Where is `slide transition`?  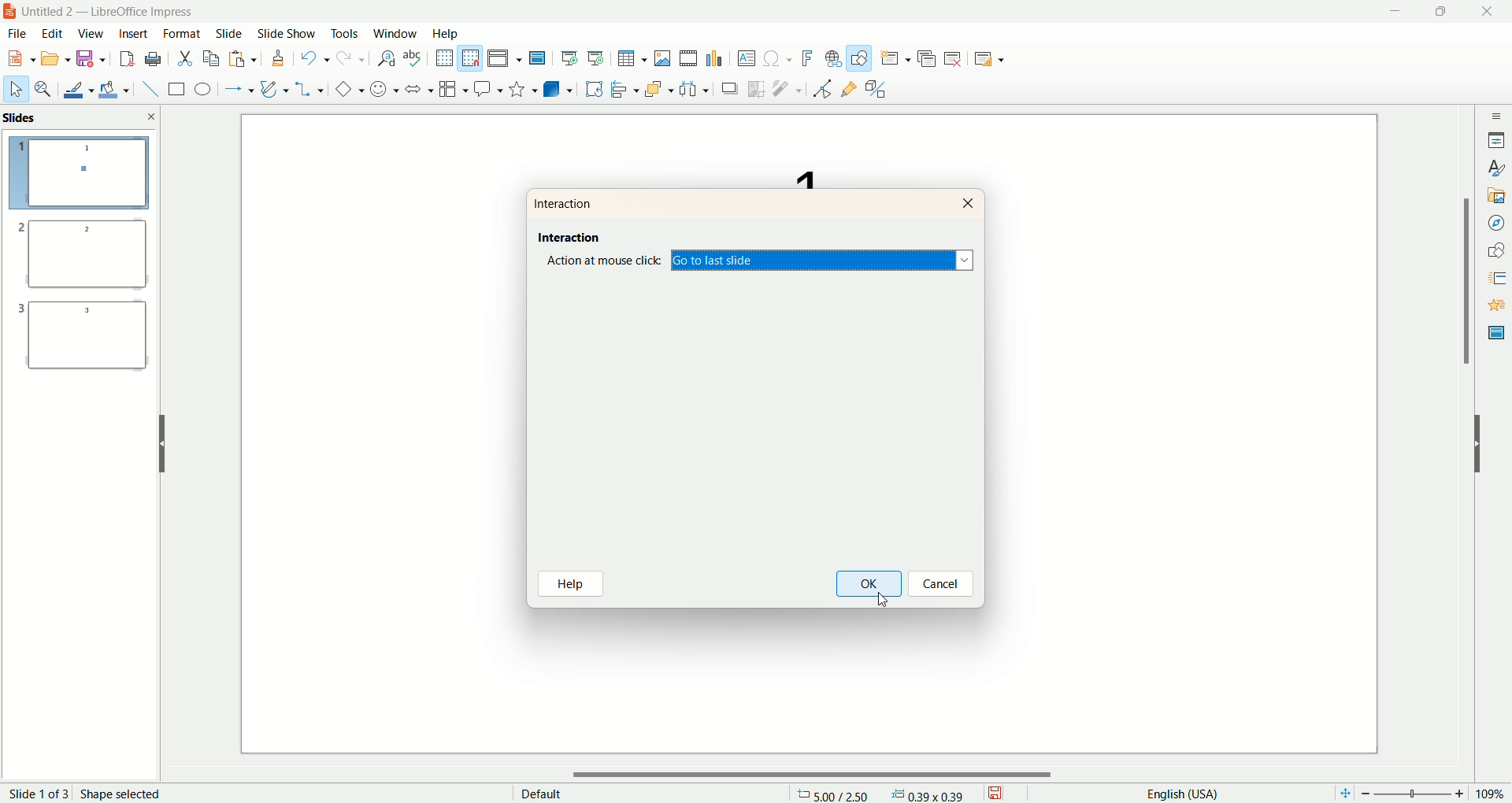
slide transition is located at coordinates (1495, 276).